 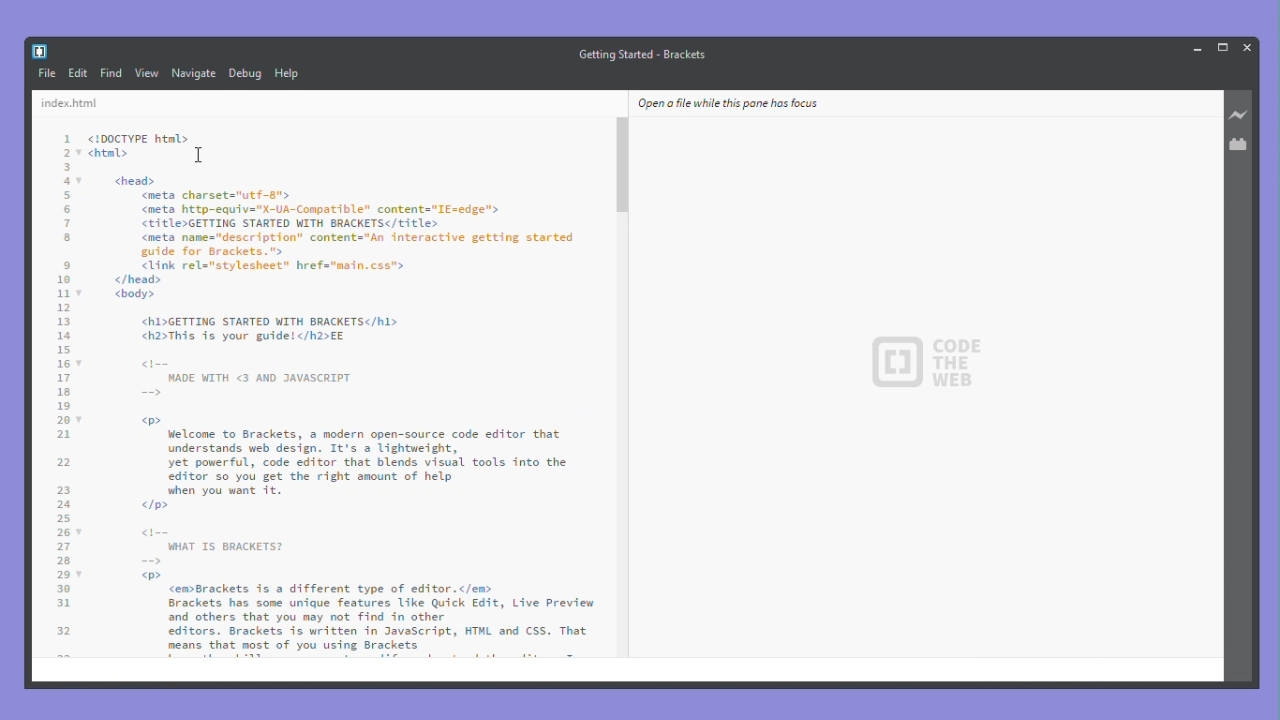 What do you see at coordinates (368, 613) in the screenshot?
I see `<p> <em>Brackets is a different type of editor.</em>Brackets has some unique features Like Quick Edit, Live Preview and others that you may not find in other editors. Brackets is written in JavaScript, HTML and CSS. That means that most of you using Brackets have the skills necessary to modify and extend the editor. In fact, we use Brackets every day to build Brackets. To learn more about how to use the key features, read on.</p>` at bounding box center [368, 613].